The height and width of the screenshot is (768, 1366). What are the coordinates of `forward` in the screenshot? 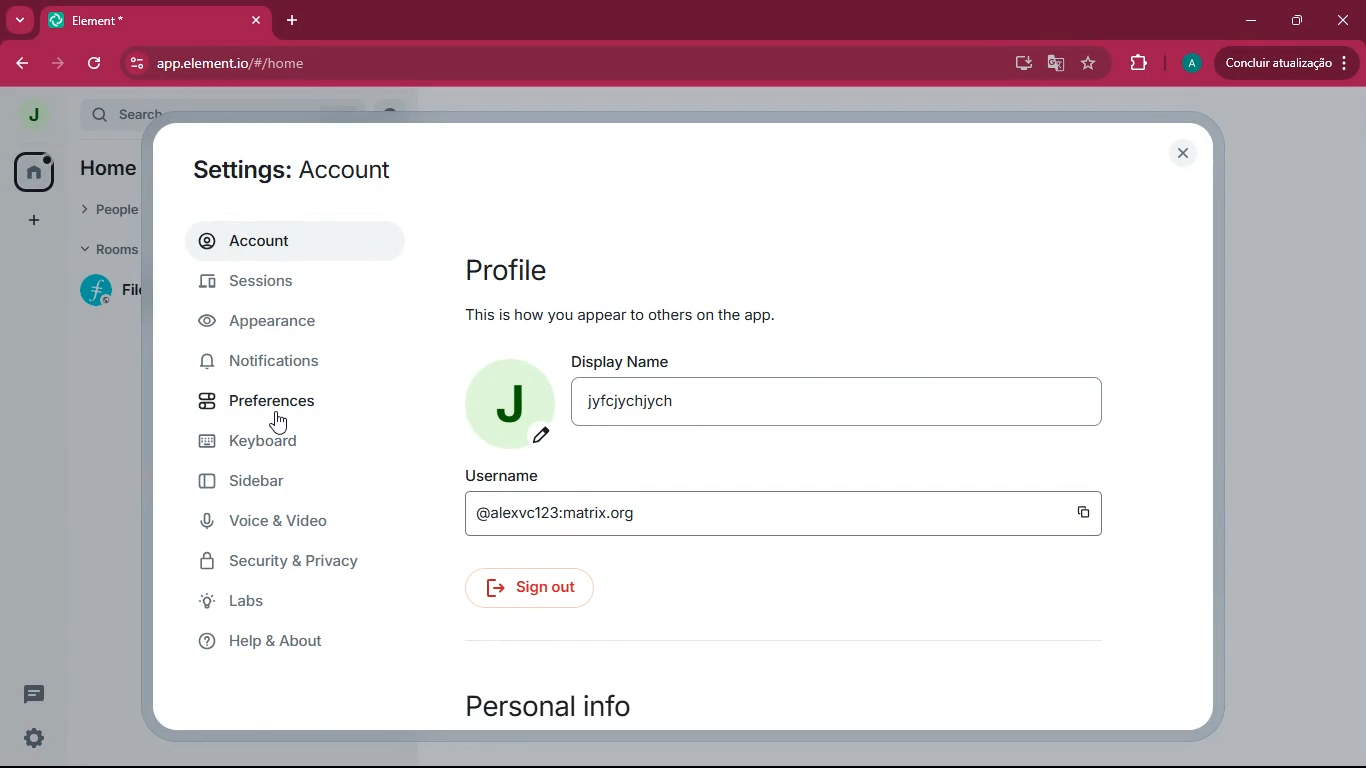 It's located at (56, 65).